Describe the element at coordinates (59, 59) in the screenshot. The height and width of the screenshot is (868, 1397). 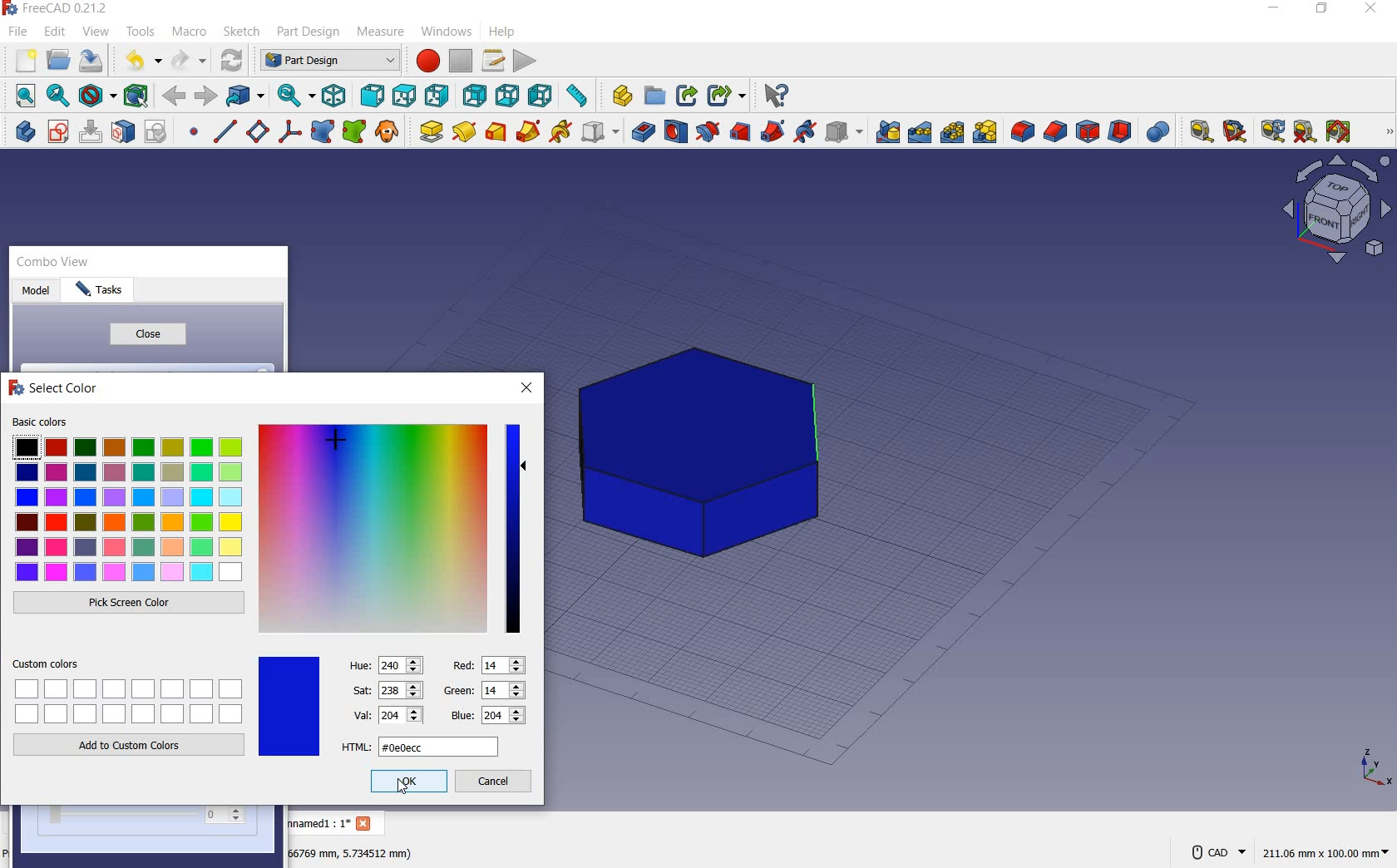
I see `open` at that location.